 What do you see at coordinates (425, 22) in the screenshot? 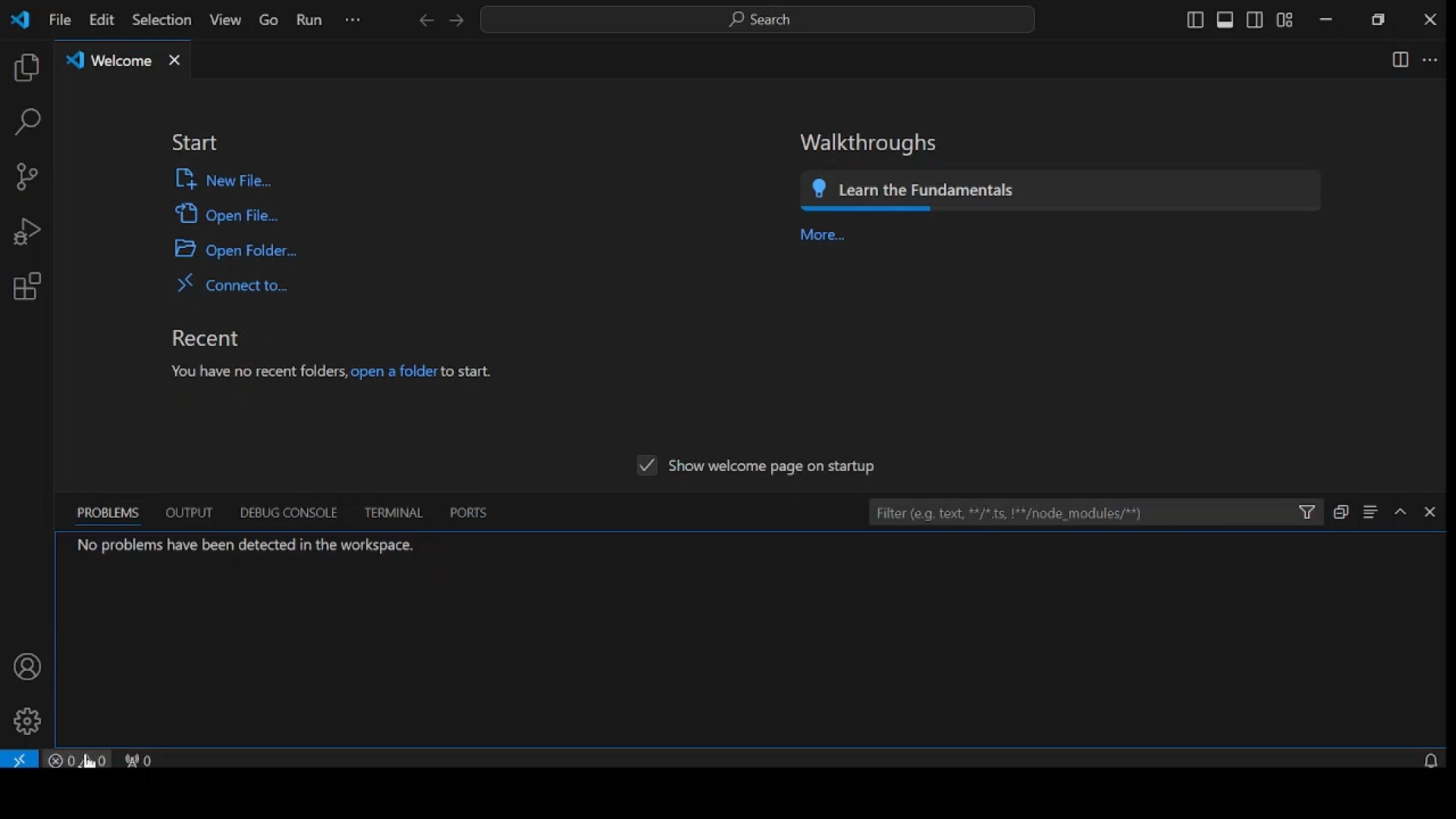
I see `previous` at bounding box center [425, 22].